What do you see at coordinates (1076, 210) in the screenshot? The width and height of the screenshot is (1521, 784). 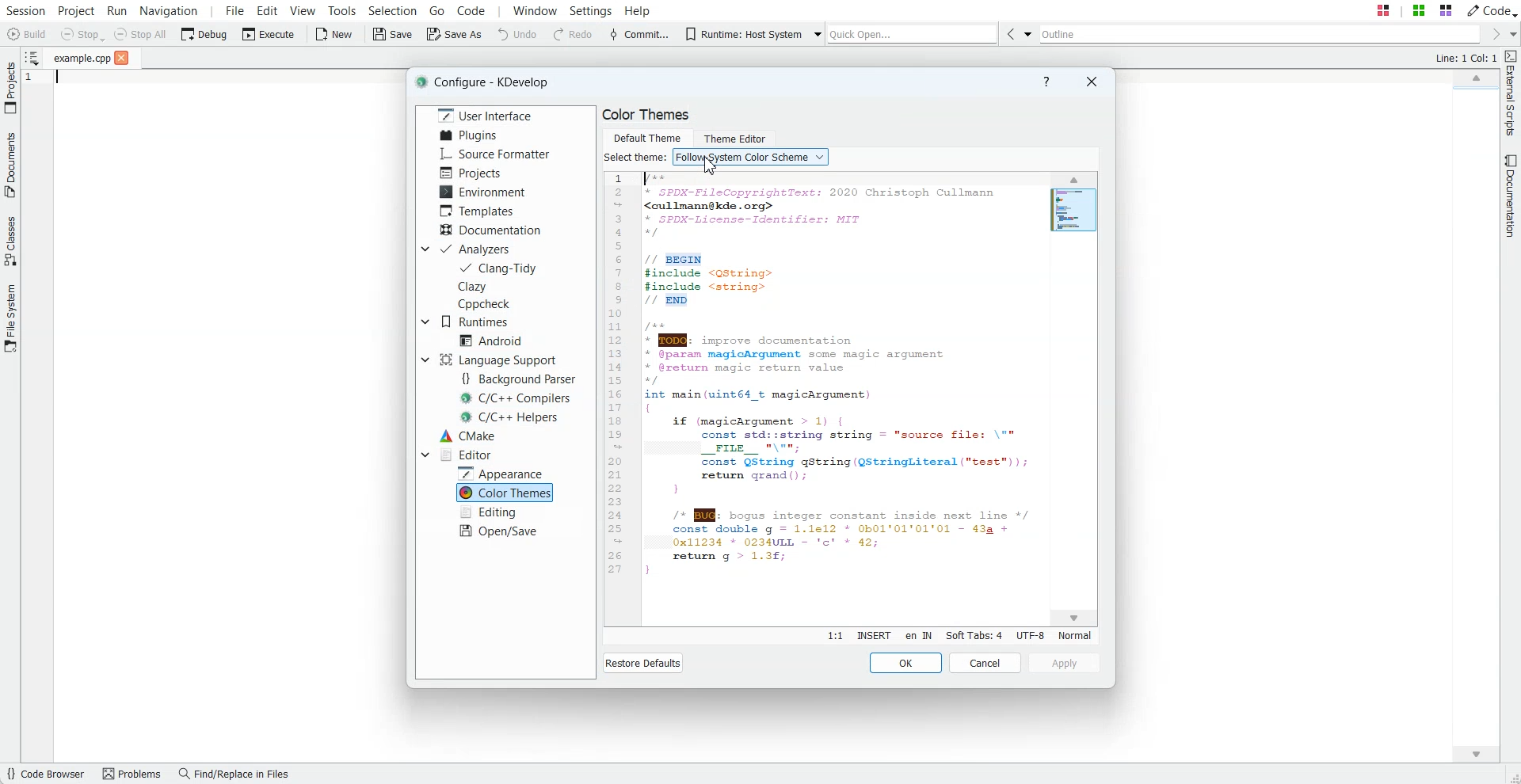 I see `File overview` at bounding box center [1076, 210].